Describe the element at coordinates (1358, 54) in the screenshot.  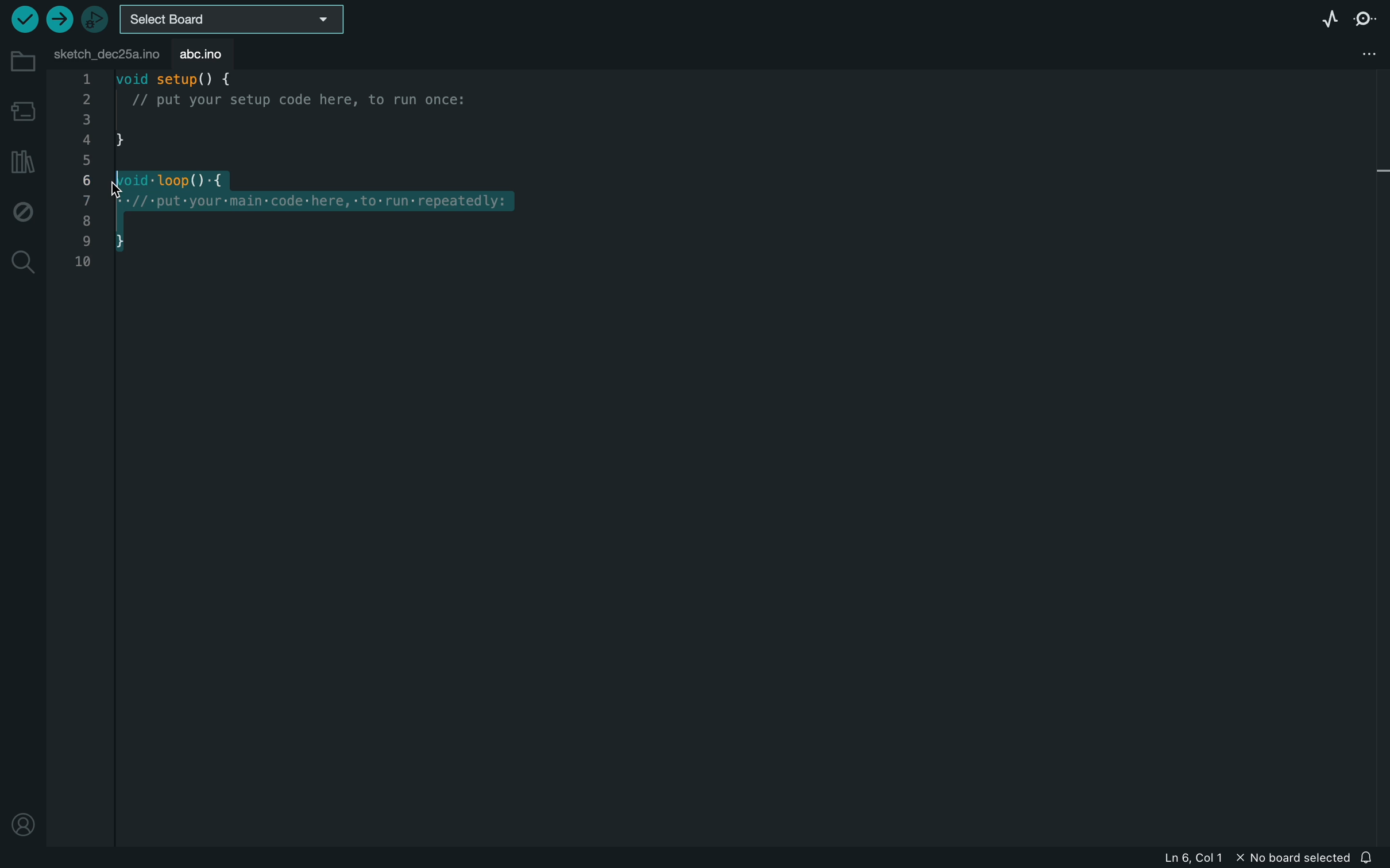
I see `file  settings` at that location.